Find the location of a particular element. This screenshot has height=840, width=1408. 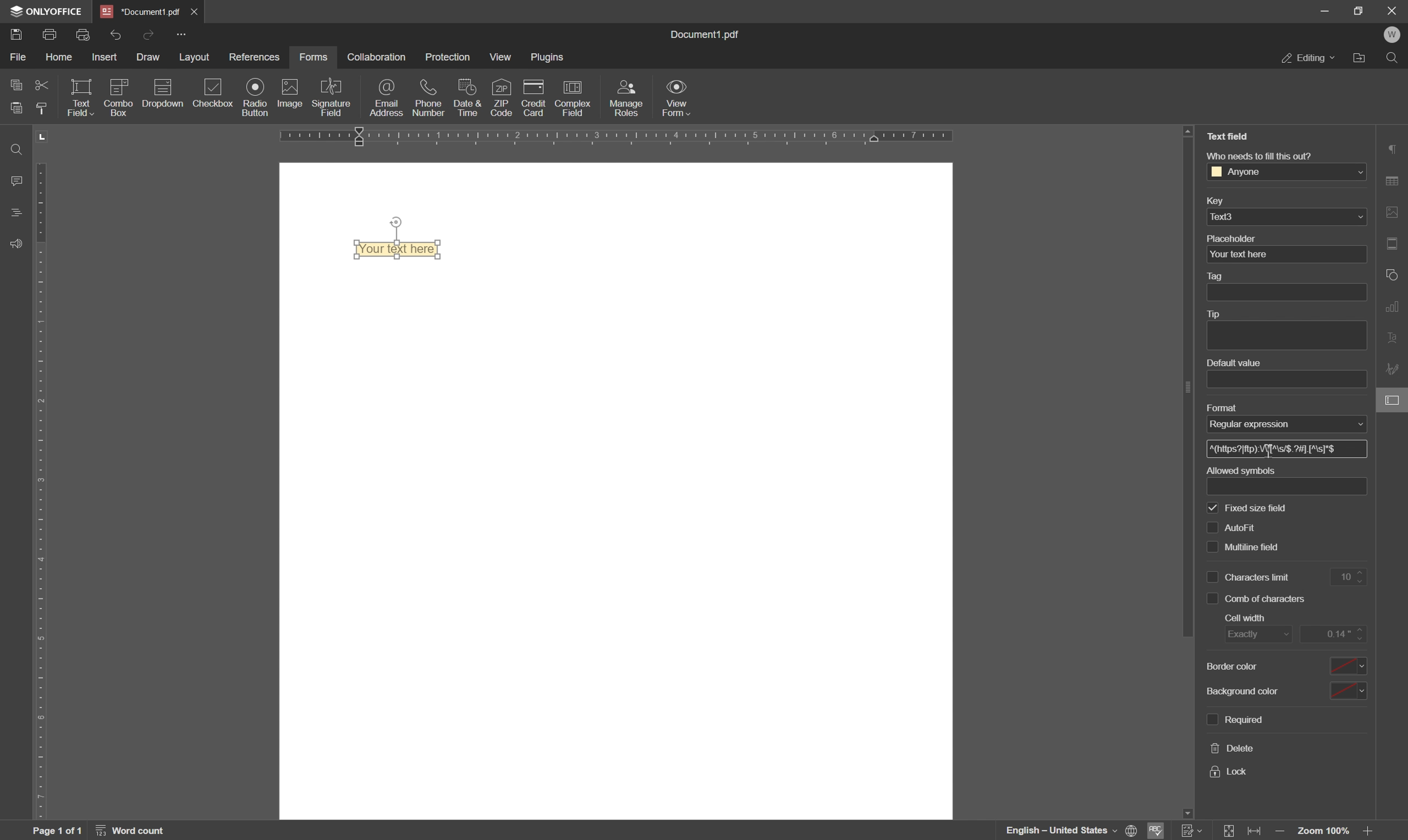

zoom 100% is located at coordinates (1325, 832).